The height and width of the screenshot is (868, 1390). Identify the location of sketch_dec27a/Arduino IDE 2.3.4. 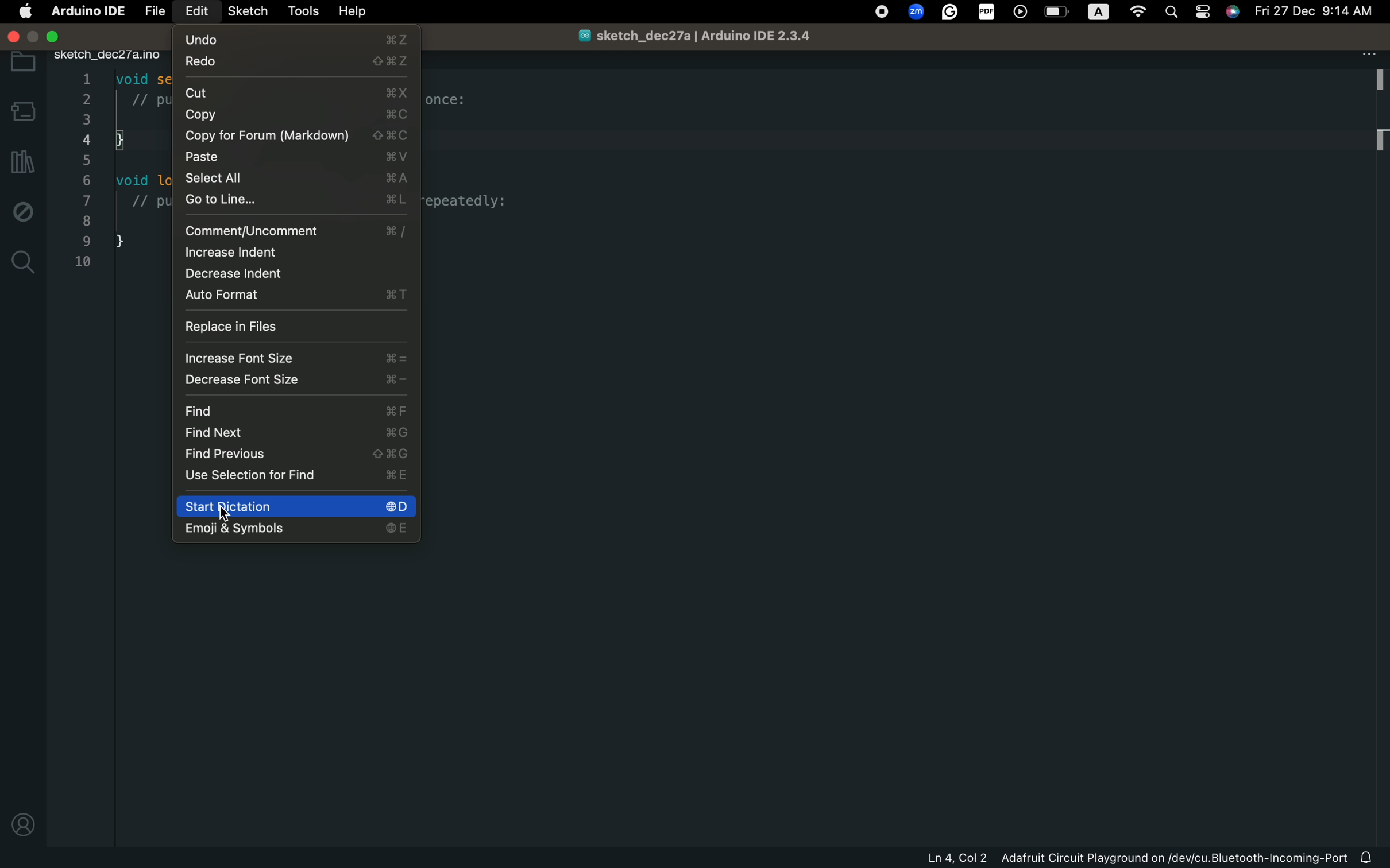
(711, 37).